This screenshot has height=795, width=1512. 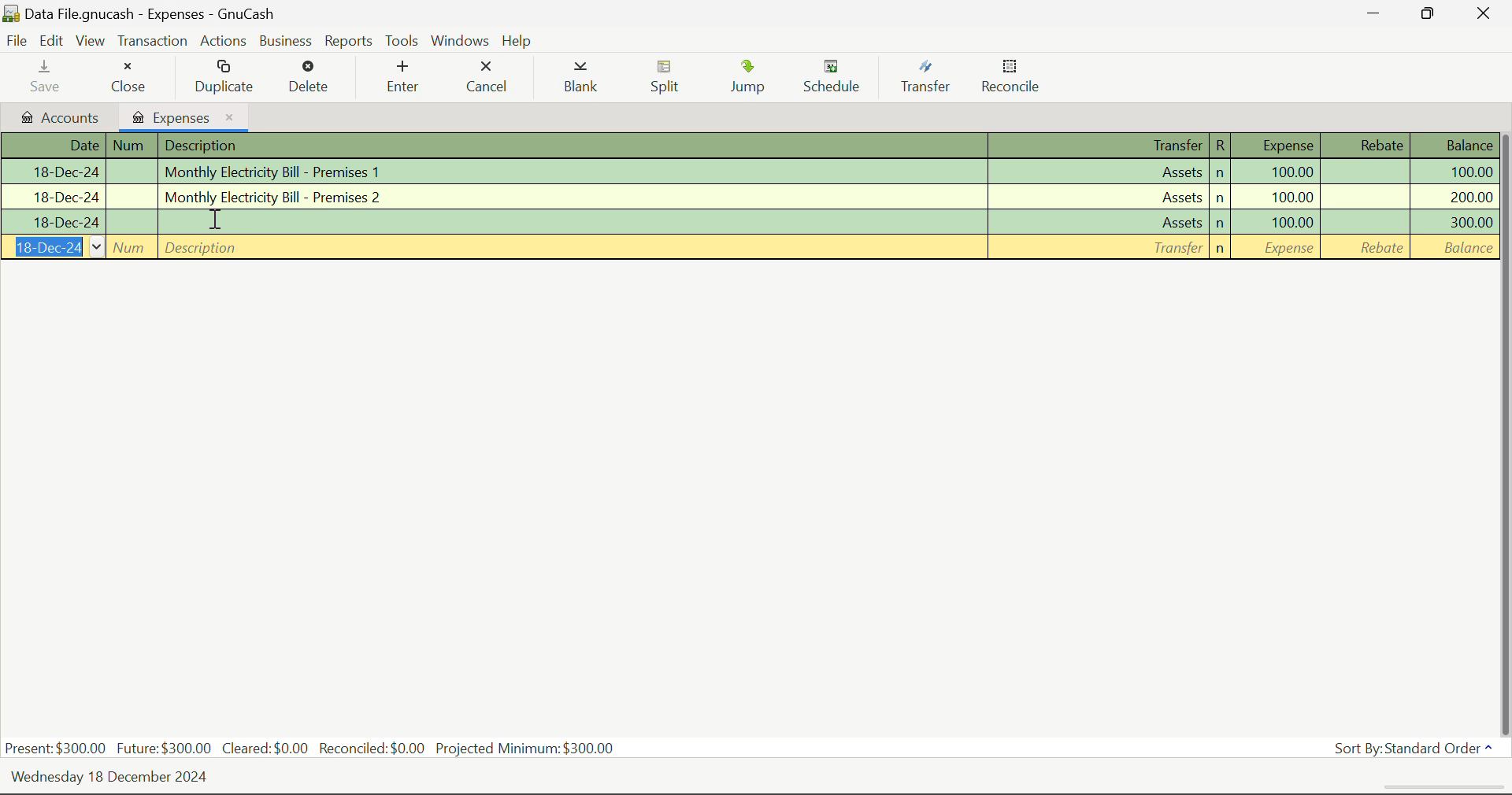 I want to click on Enter, so click(x=402, y=77).